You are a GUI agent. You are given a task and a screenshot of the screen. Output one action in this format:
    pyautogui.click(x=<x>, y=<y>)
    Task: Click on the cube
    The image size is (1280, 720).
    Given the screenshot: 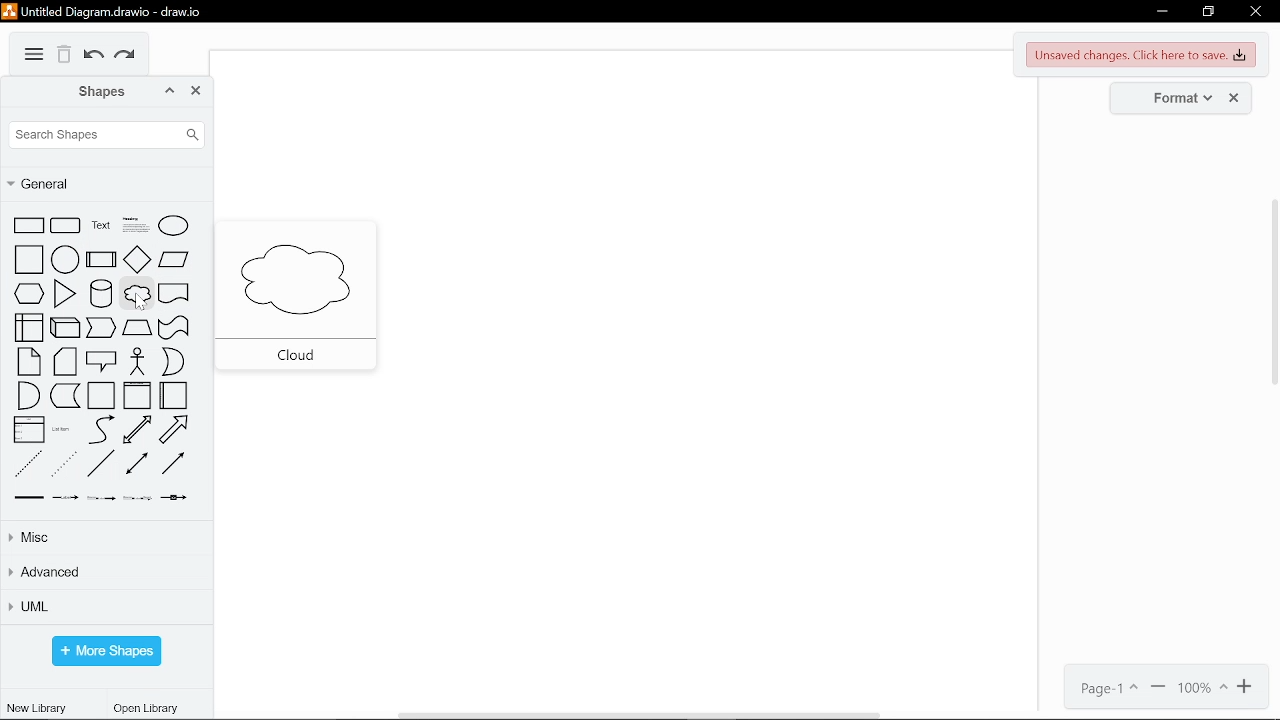 What is the action you would take?
    pyautogui.click(x=66, y=328)
    